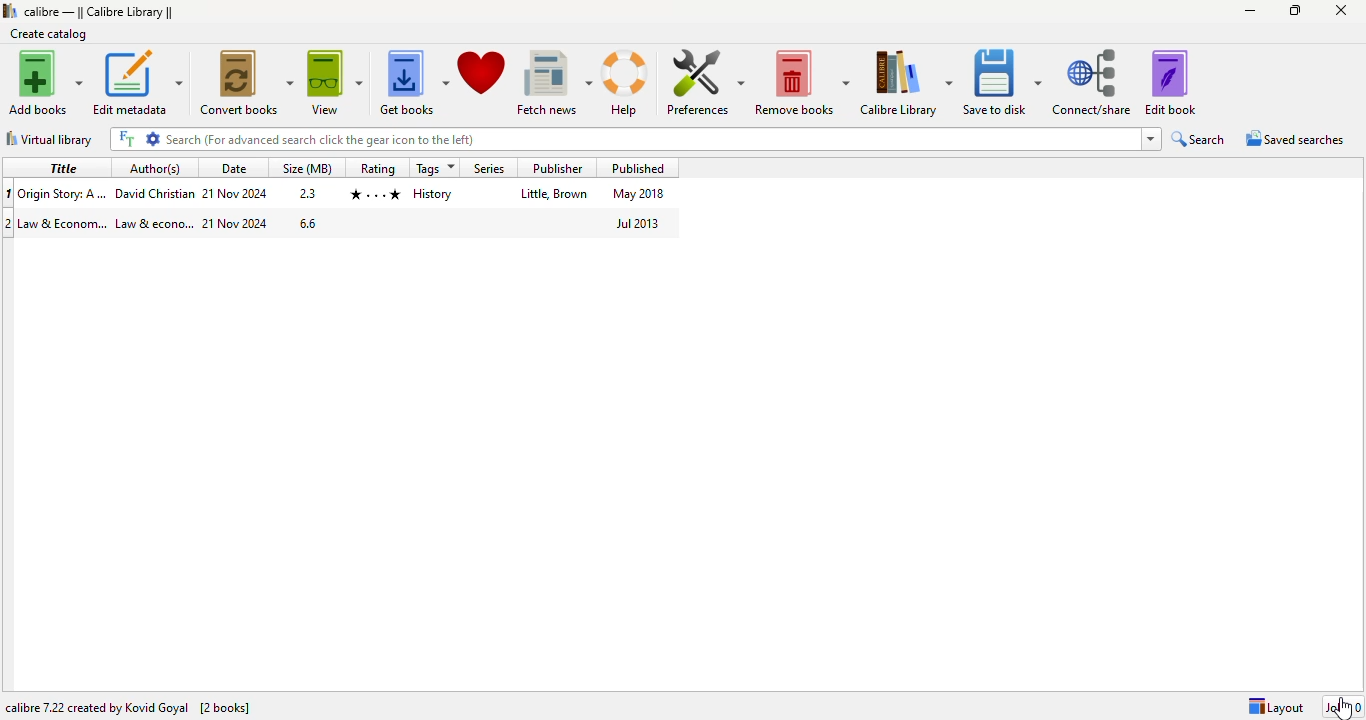 The image size is (1366, 720). What do you see at coordinates (412, 82) in the screenshot?
I see `get books` at bounding box center [412, 82].